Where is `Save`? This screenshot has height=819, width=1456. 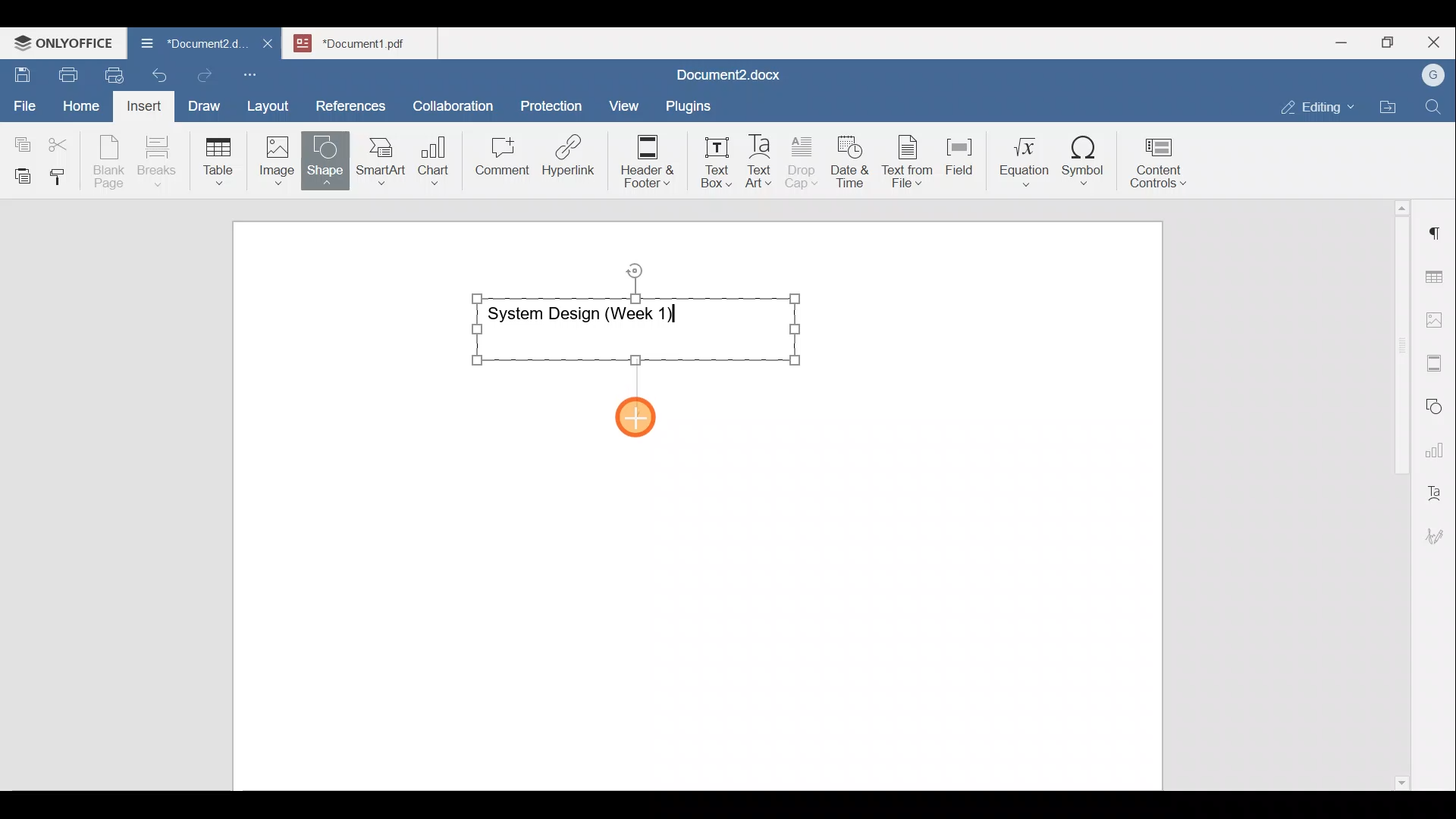
Save is located at coordinates (21, 71).